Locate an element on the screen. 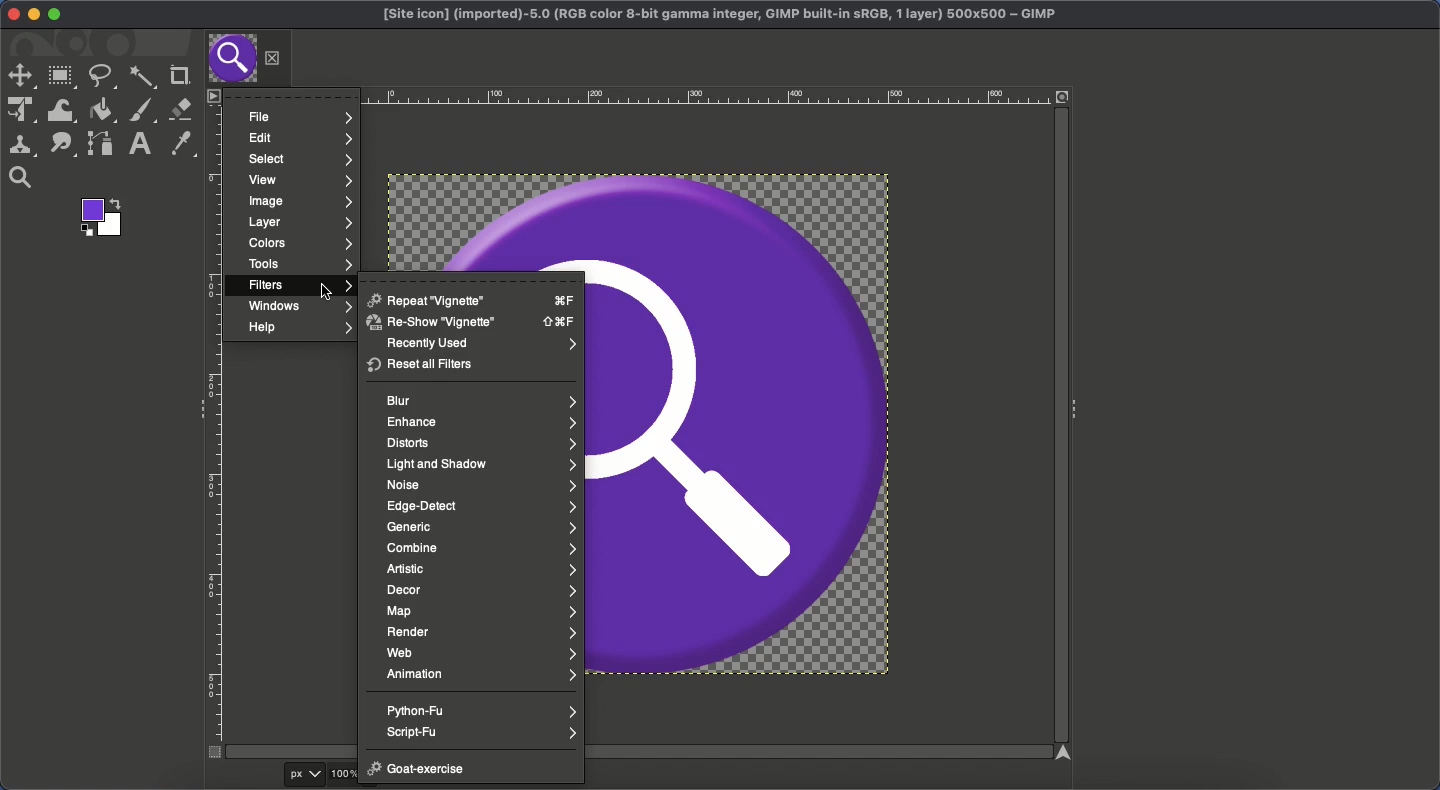 This screenshot has height=790, width=1440. Collapse is located at coordinates (196, 407).